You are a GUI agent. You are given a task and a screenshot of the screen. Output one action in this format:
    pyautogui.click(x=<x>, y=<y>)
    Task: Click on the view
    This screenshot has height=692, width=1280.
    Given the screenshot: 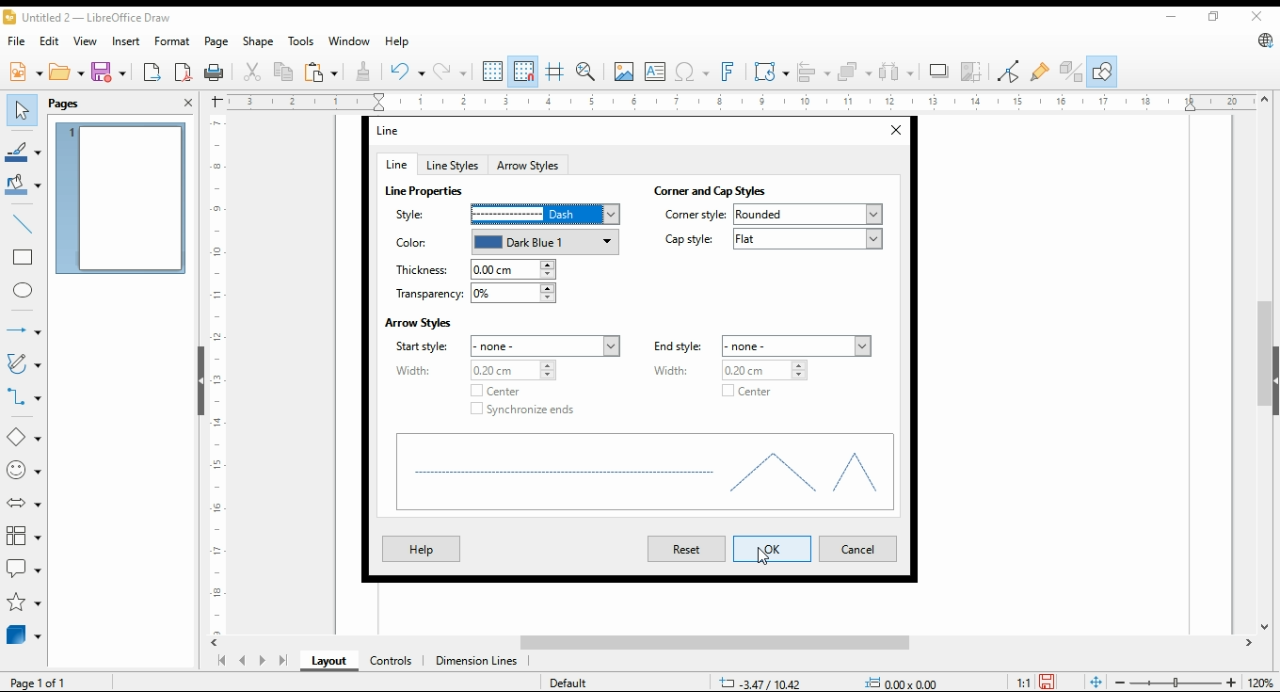 What is the action you would take?
    pyautogui.click(x=86, y=41)
    